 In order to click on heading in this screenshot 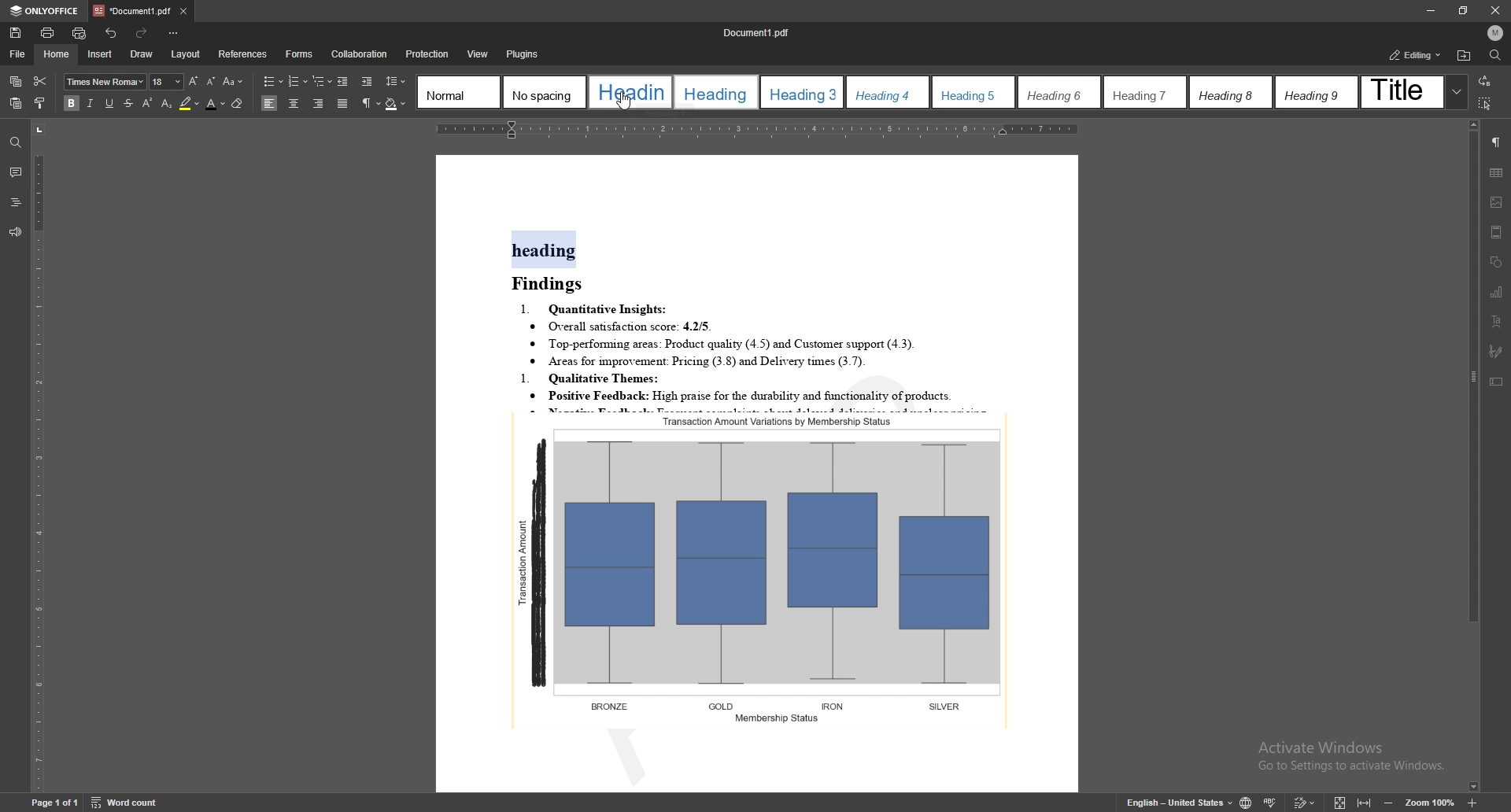, I will do `click(545, 250)`.